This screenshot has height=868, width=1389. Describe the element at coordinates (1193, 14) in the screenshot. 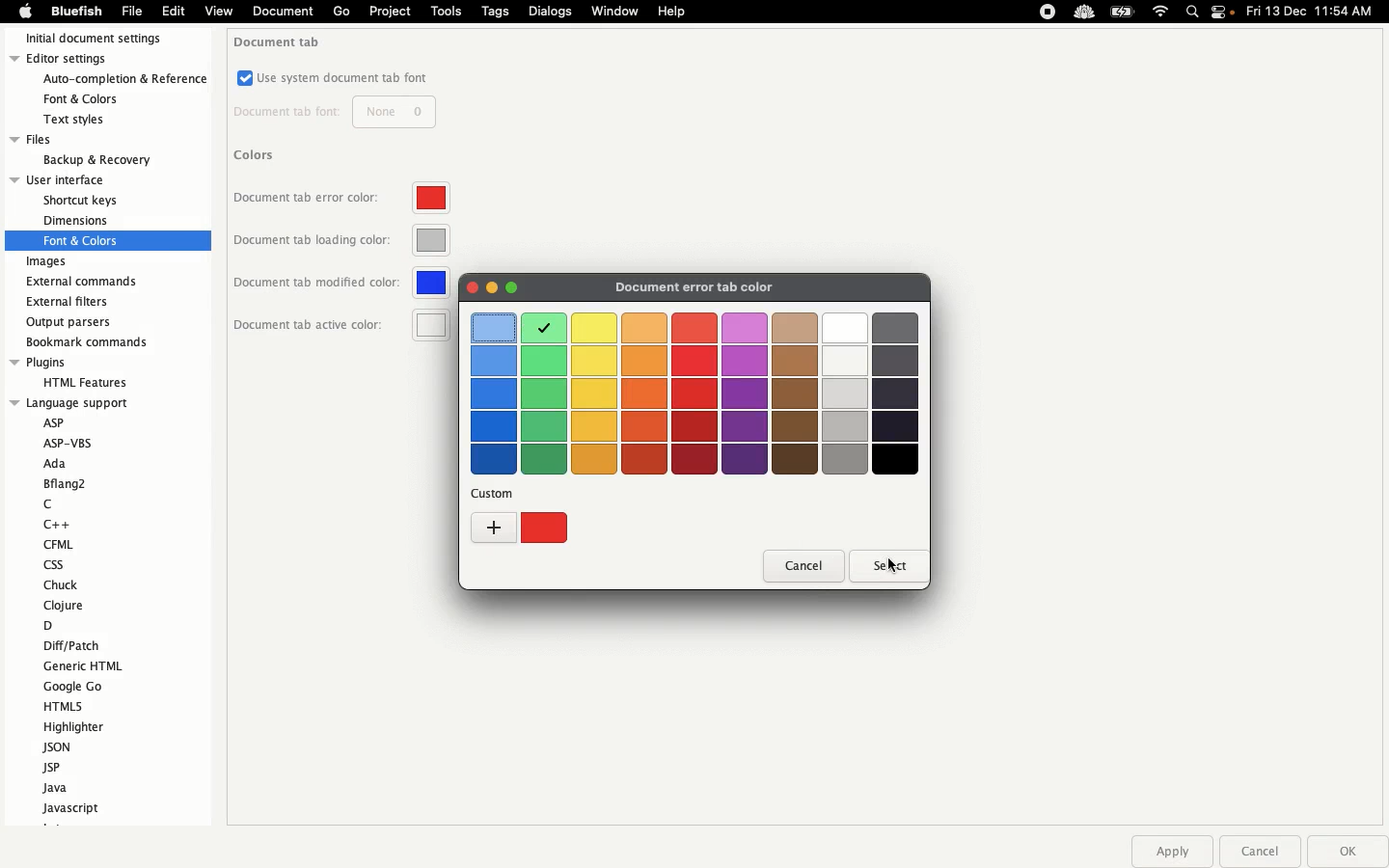

I see `Search` at that location.